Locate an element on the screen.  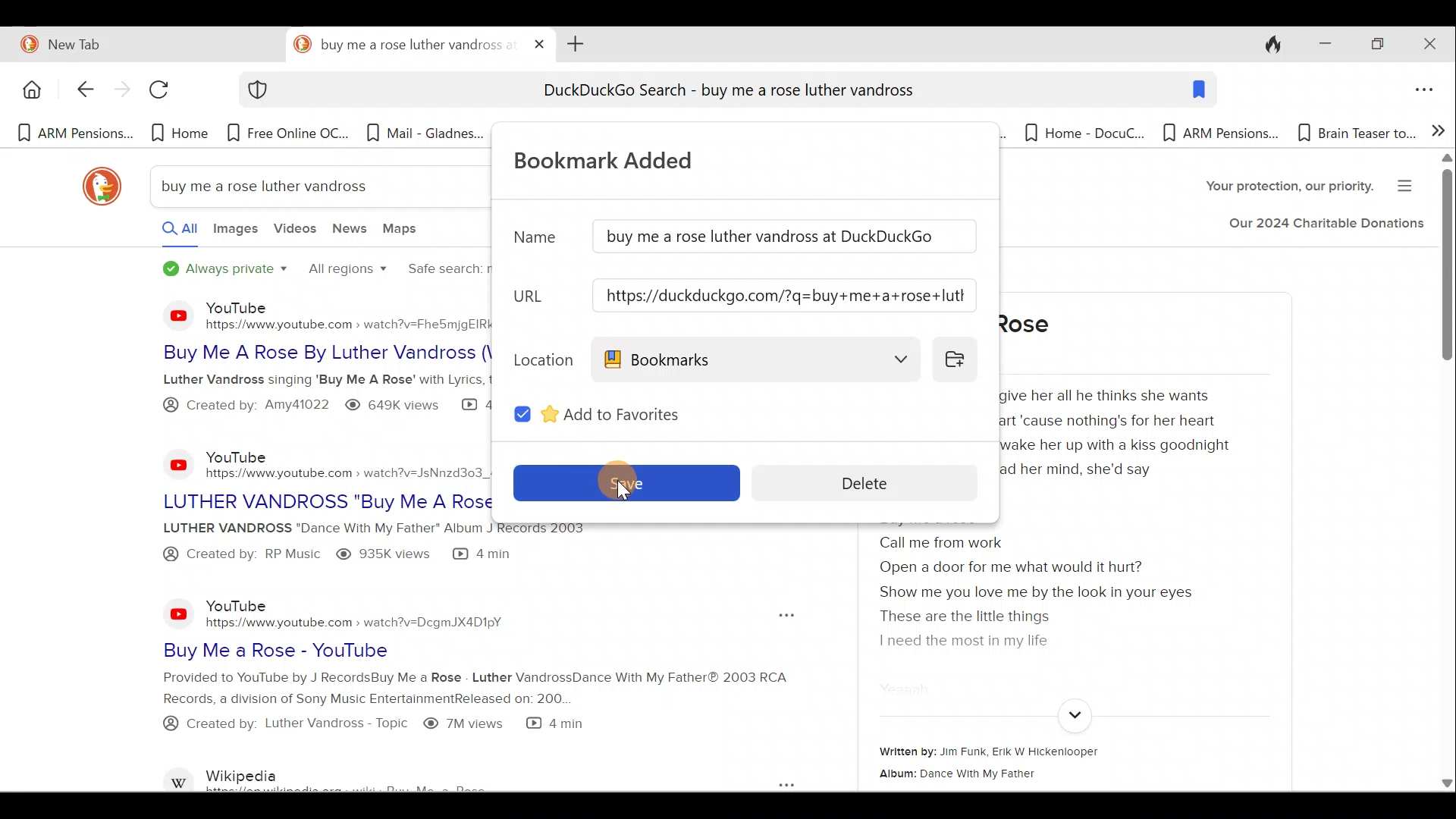
News is located at coordinates (351, 232).